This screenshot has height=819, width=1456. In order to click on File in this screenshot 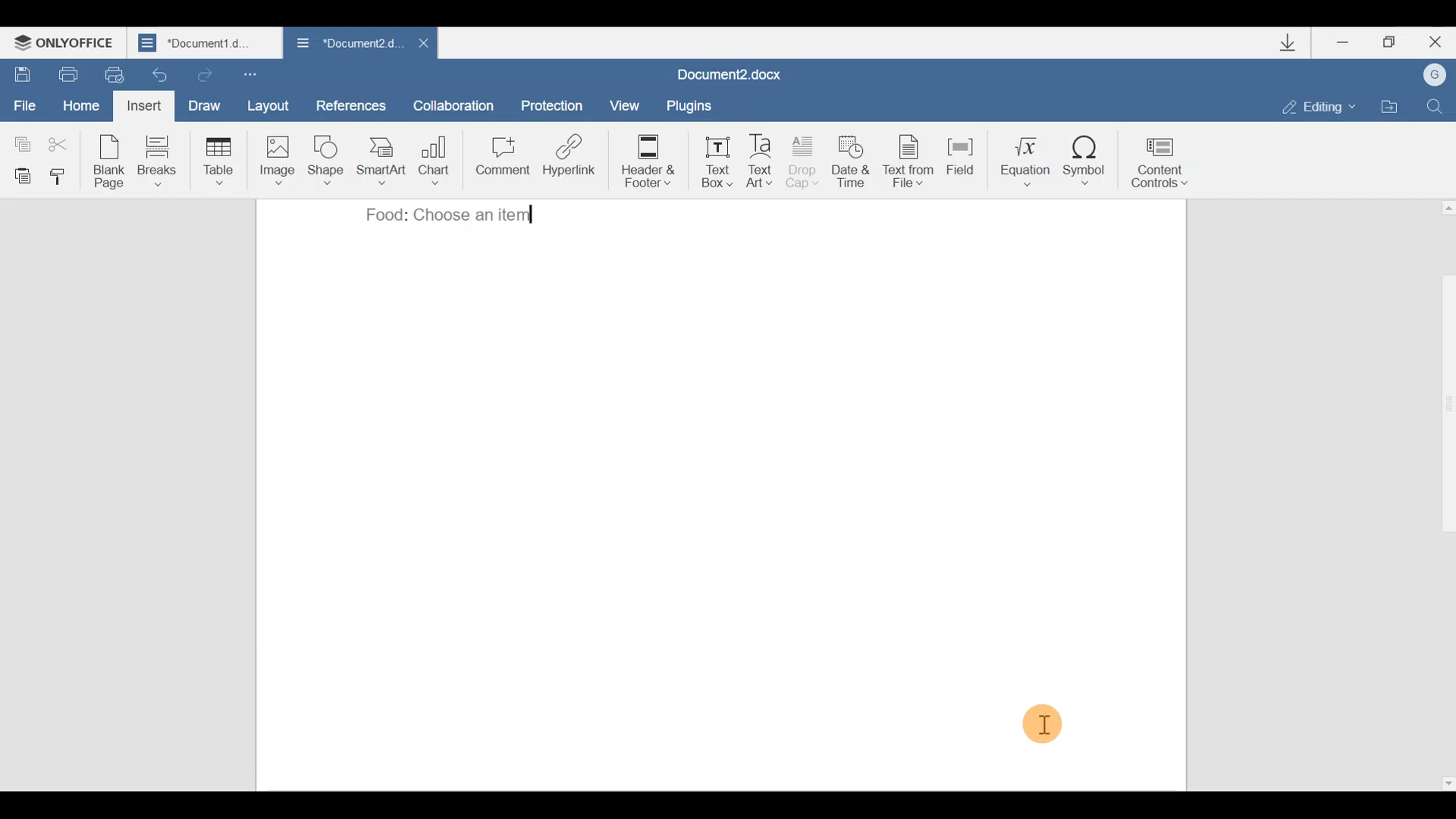, I will do `click(26, 106)`.